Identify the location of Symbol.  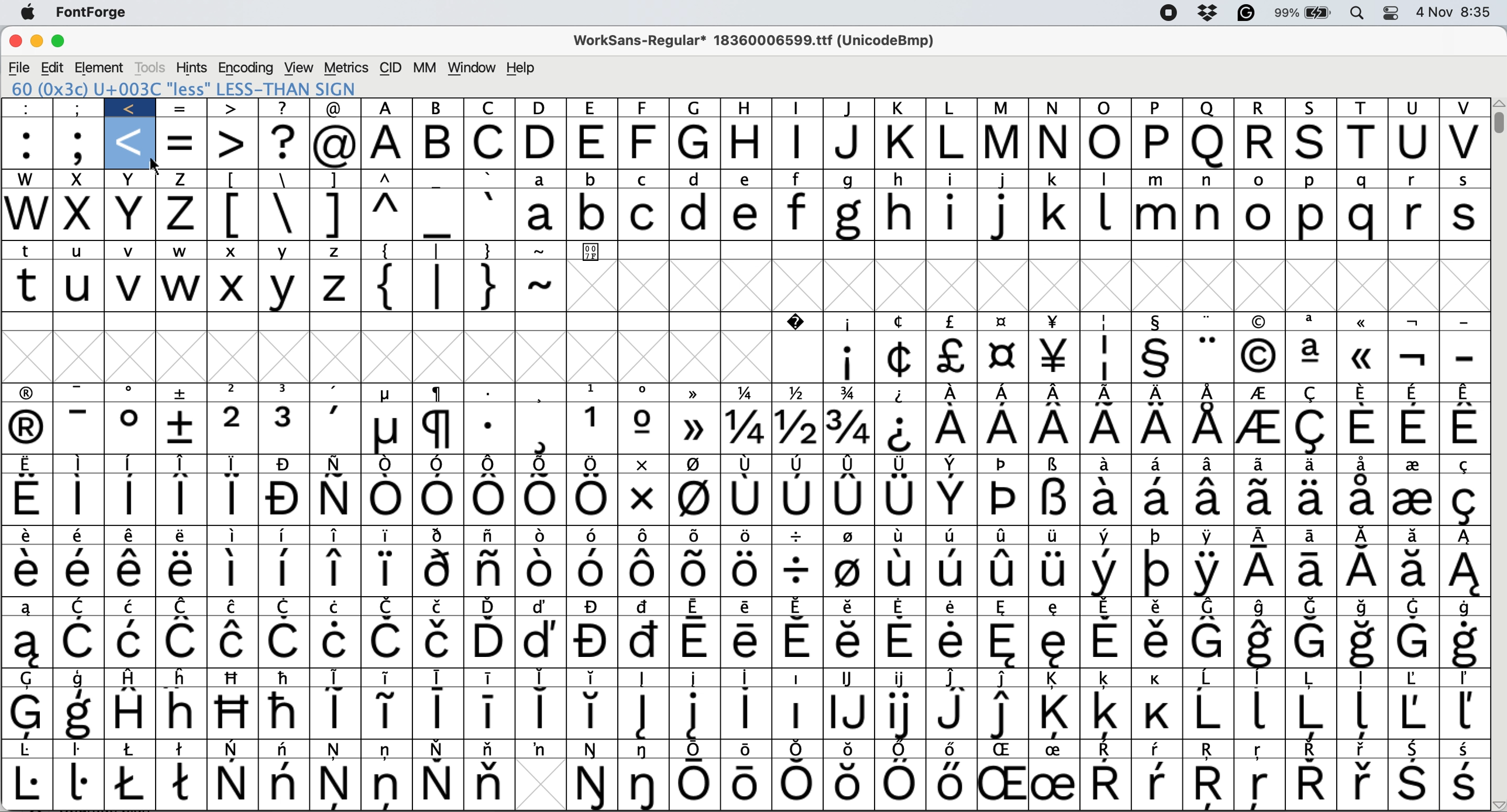
(648, 750).